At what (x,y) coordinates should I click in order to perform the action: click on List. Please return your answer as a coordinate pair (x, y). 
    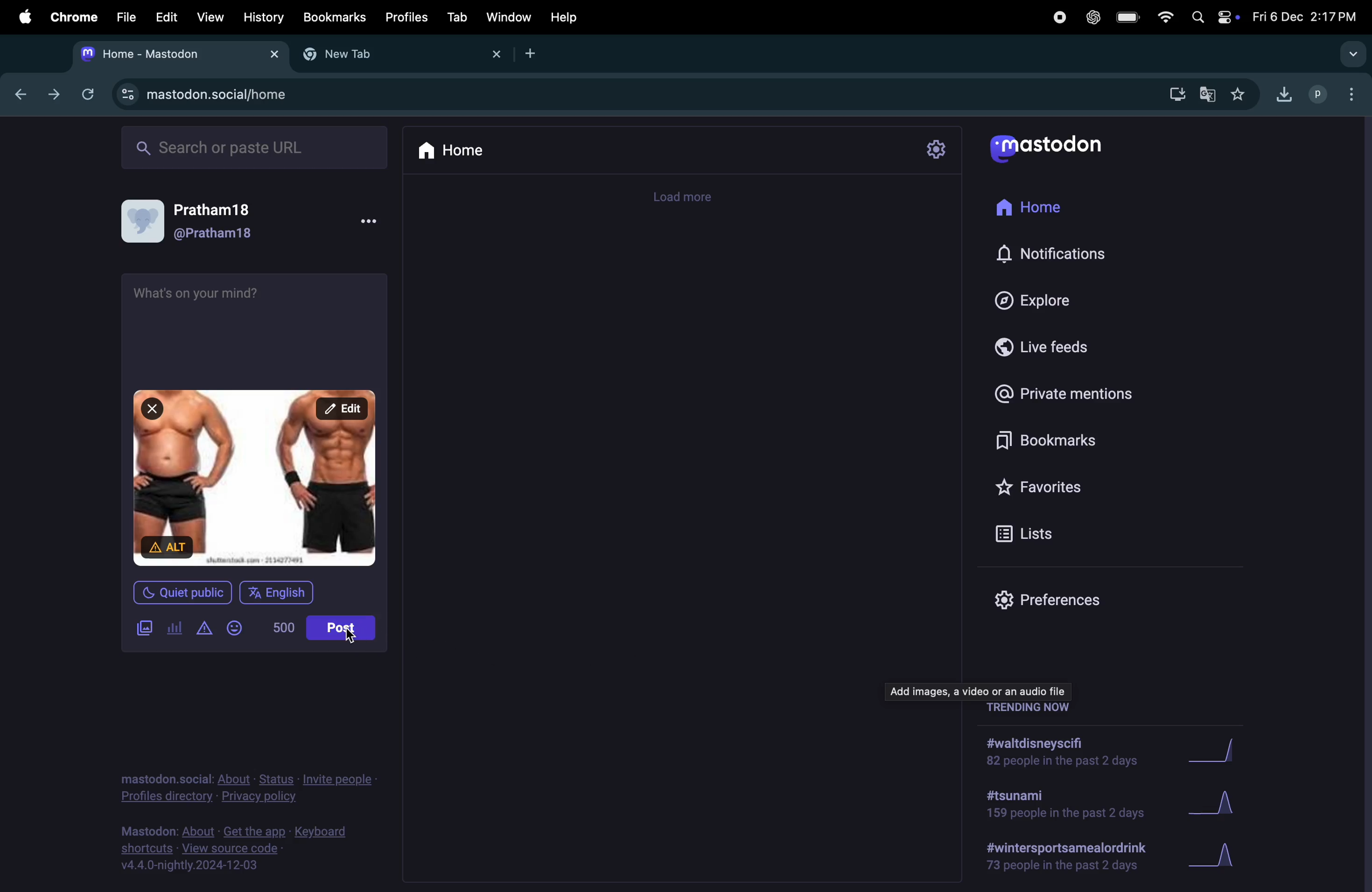
    Looking at the image, I should click on (1045, 535).